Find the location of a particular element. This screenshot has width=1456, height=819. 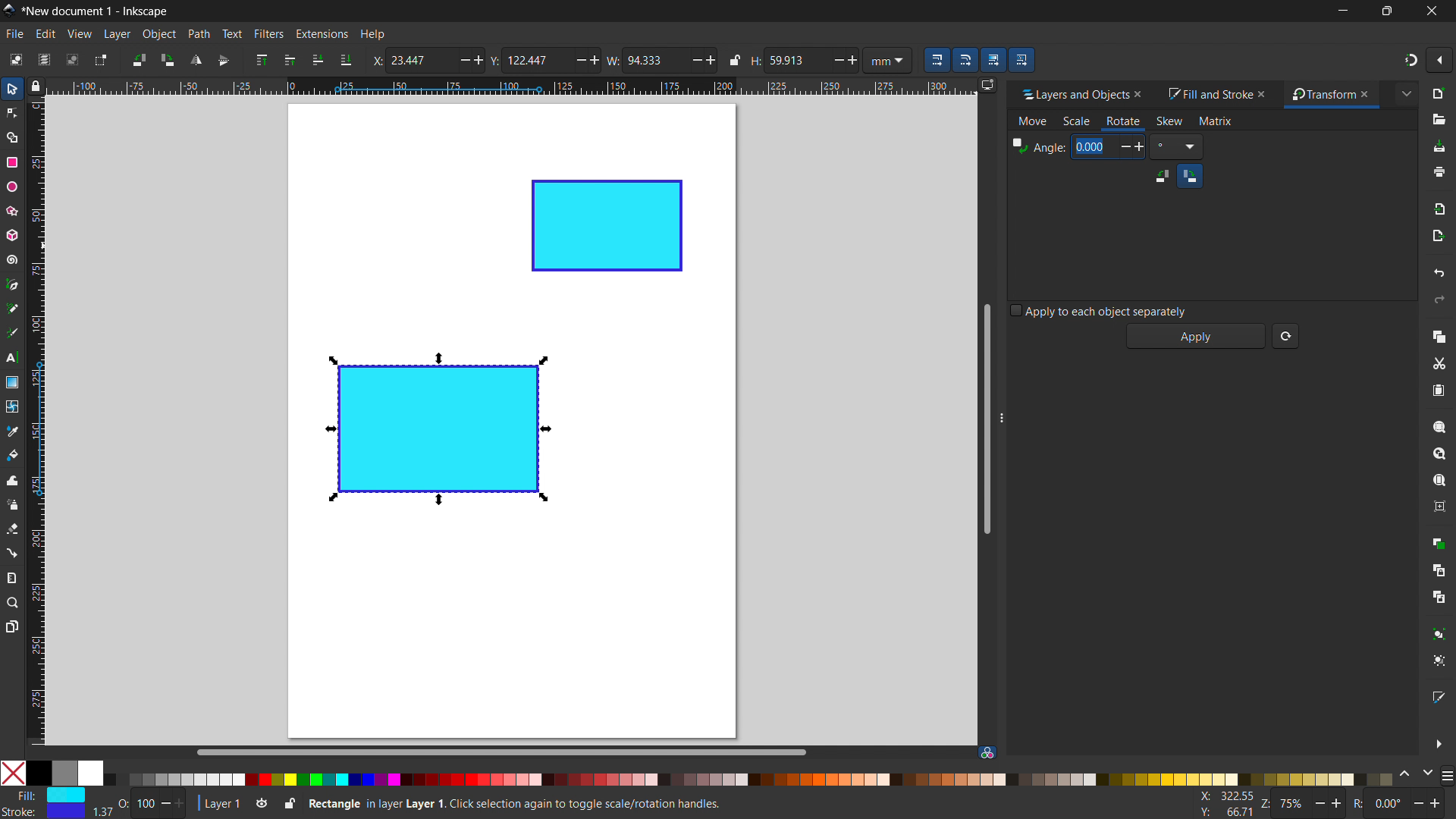

select all is located at coordinates (14, 59).